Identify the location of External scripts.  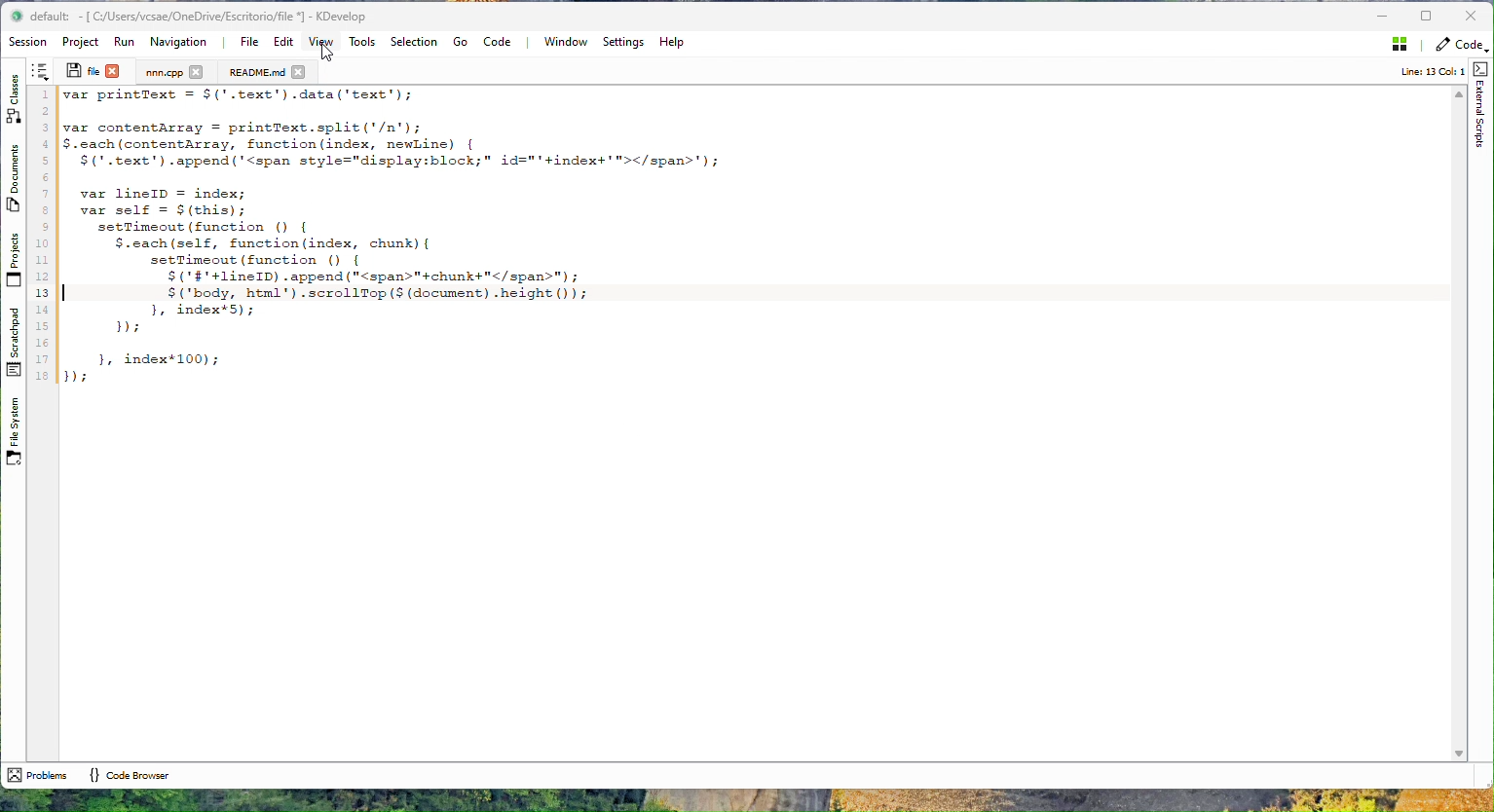
(1481, 105).